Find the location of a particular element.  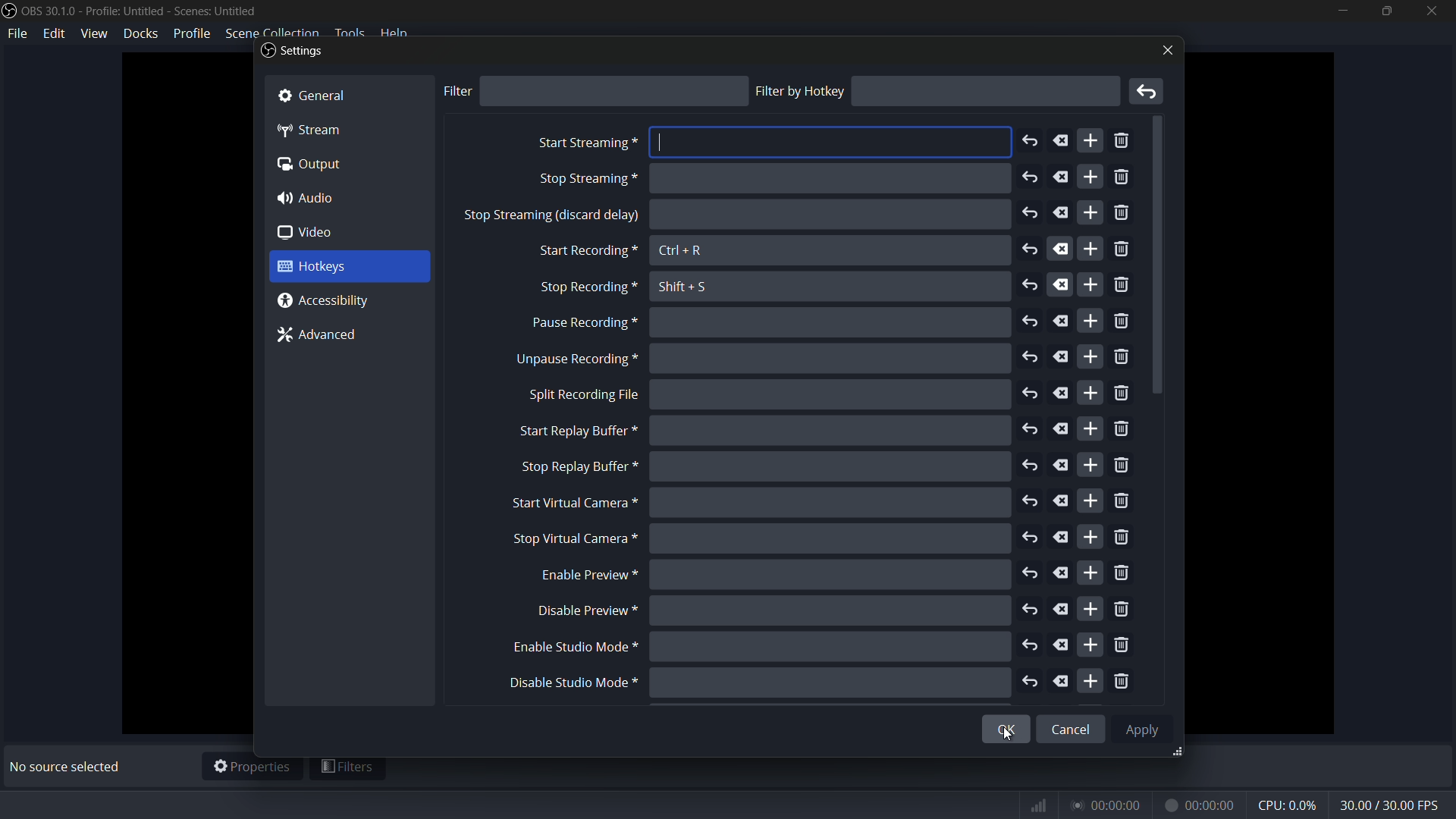

file menu is located at coordinates (18, 34).